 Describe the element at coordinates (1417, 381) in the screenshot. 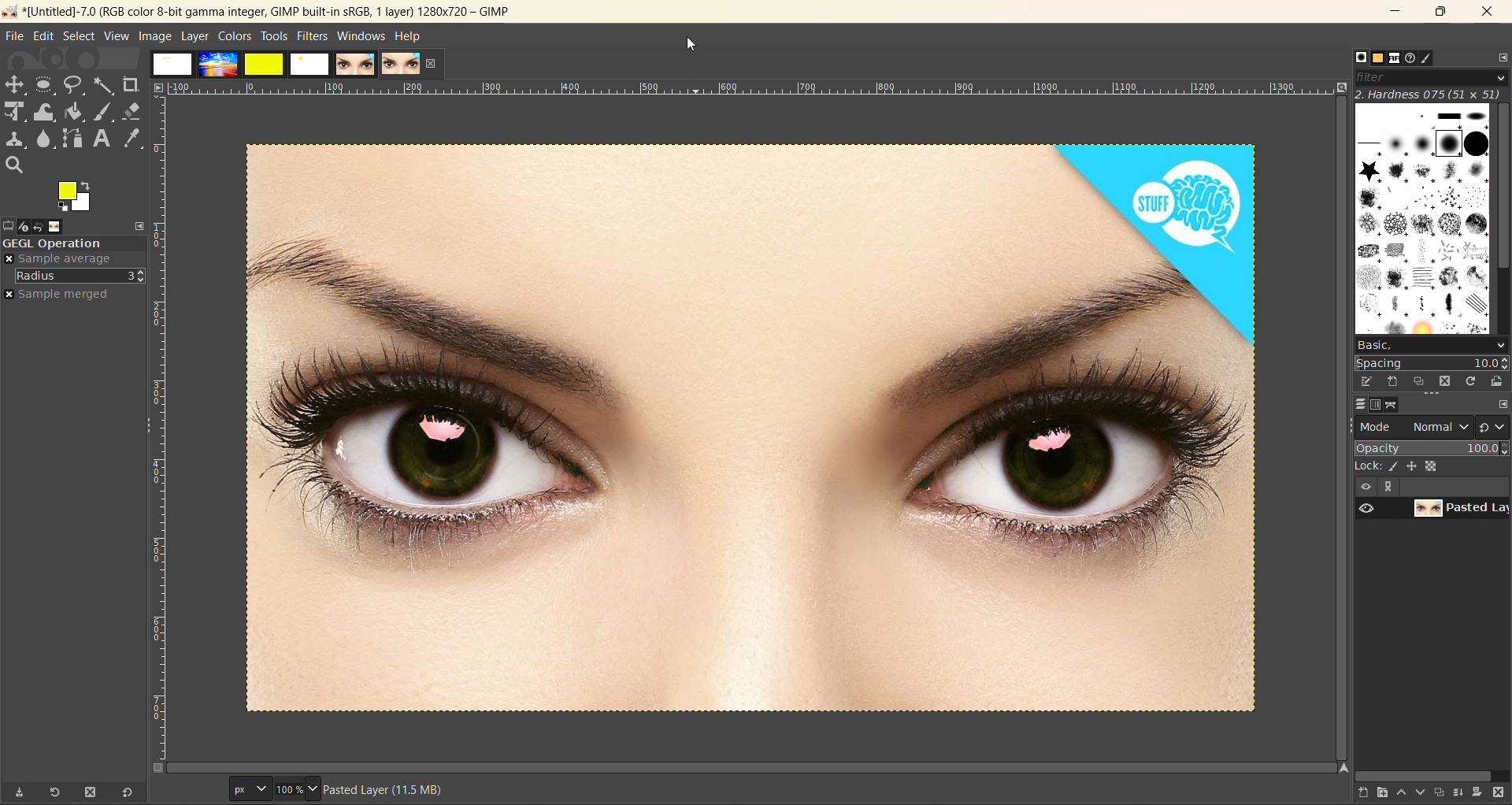

I see `duplicate this brush` at that location.